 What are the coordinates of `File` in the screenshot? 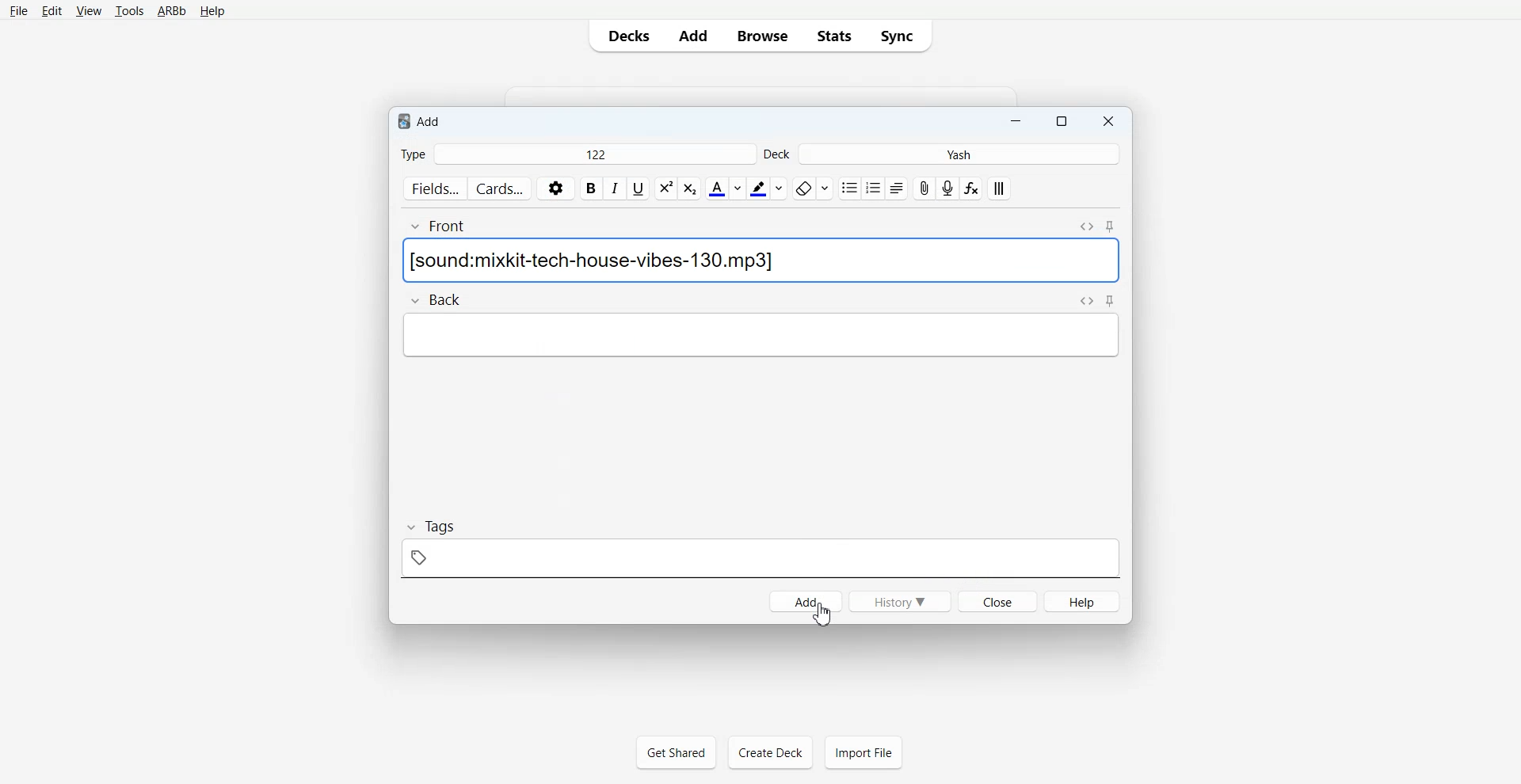 It's located at (18, 11).